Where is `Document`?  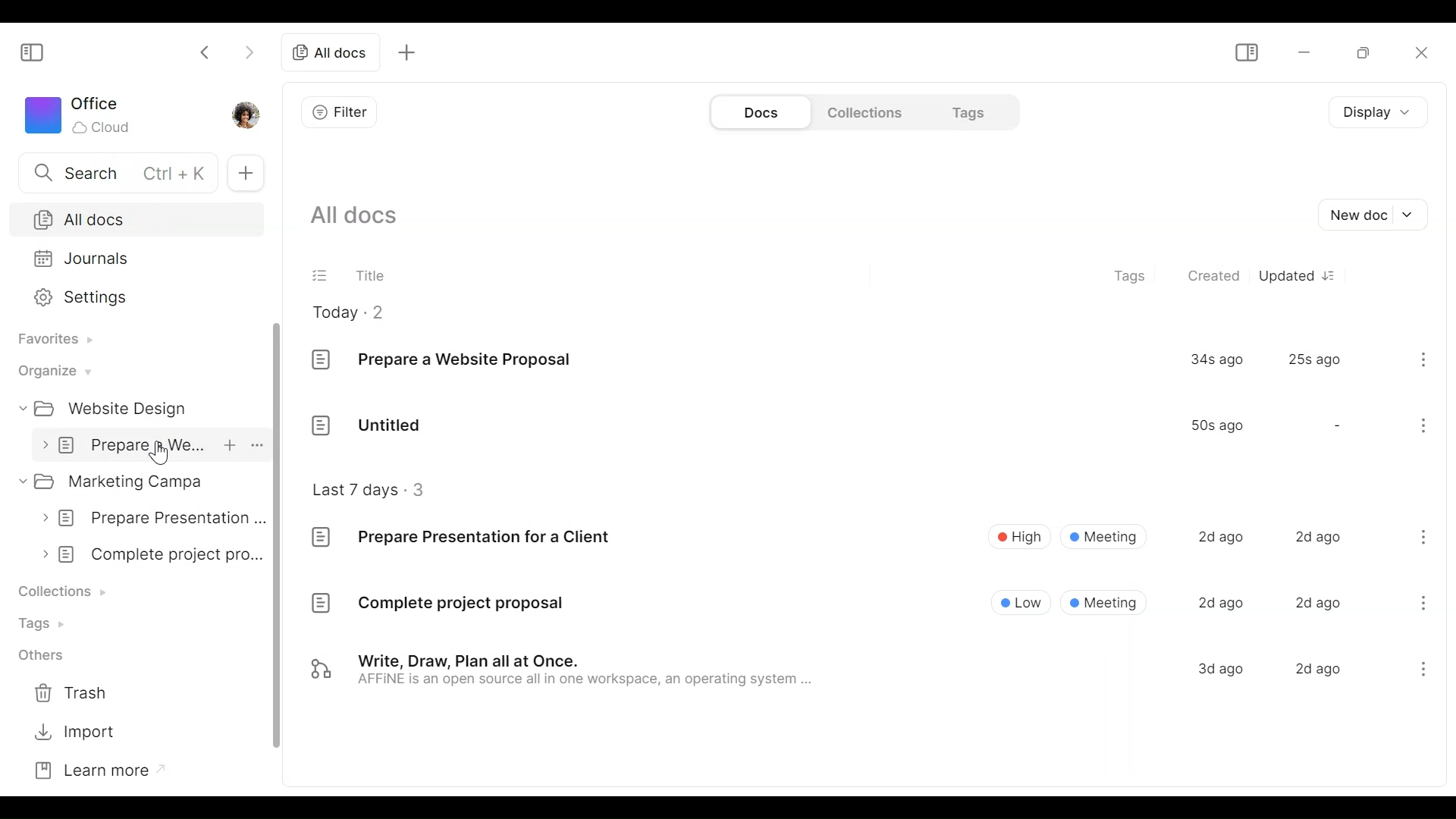 Document is located at coordinates (147, 519).